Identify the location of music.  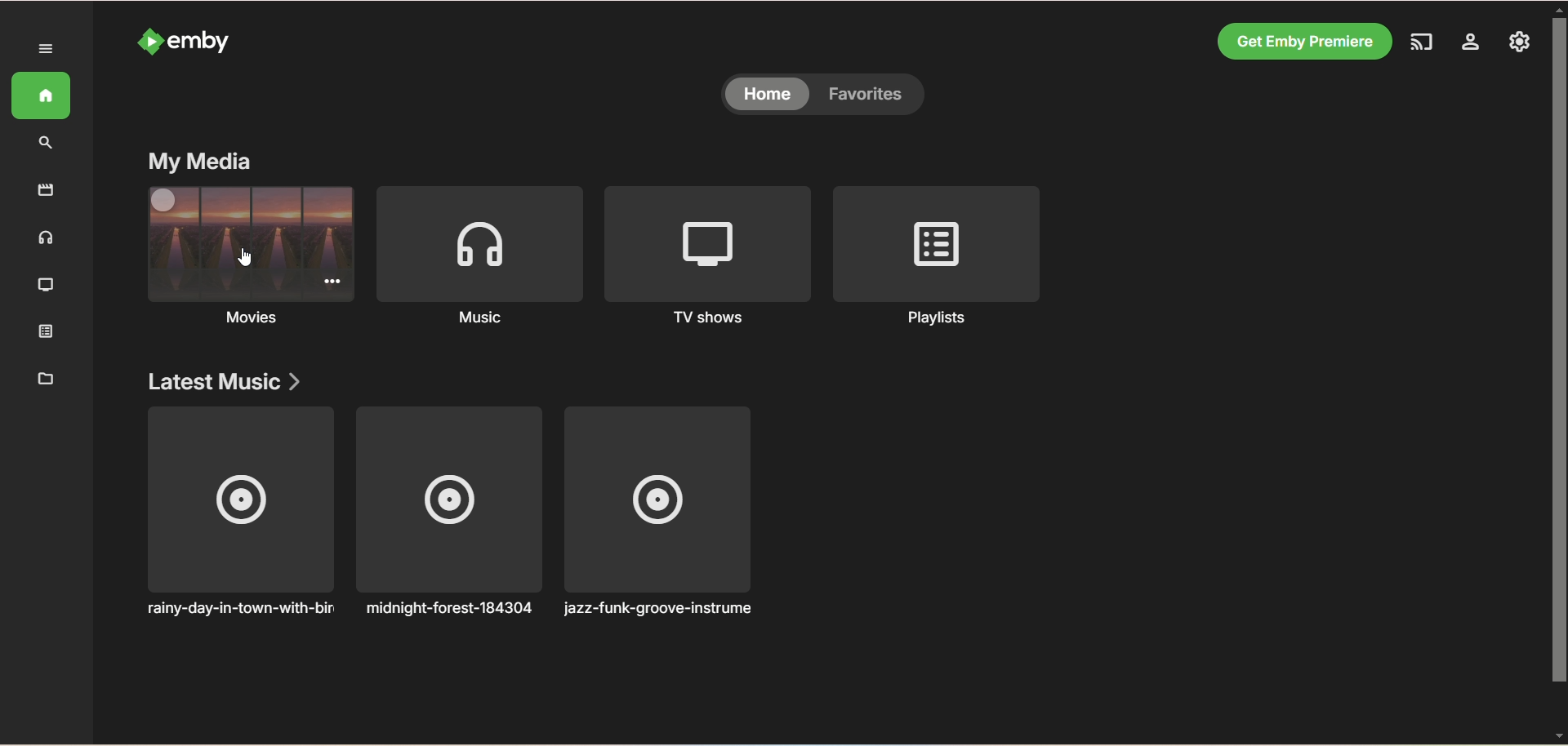
(483, 322).